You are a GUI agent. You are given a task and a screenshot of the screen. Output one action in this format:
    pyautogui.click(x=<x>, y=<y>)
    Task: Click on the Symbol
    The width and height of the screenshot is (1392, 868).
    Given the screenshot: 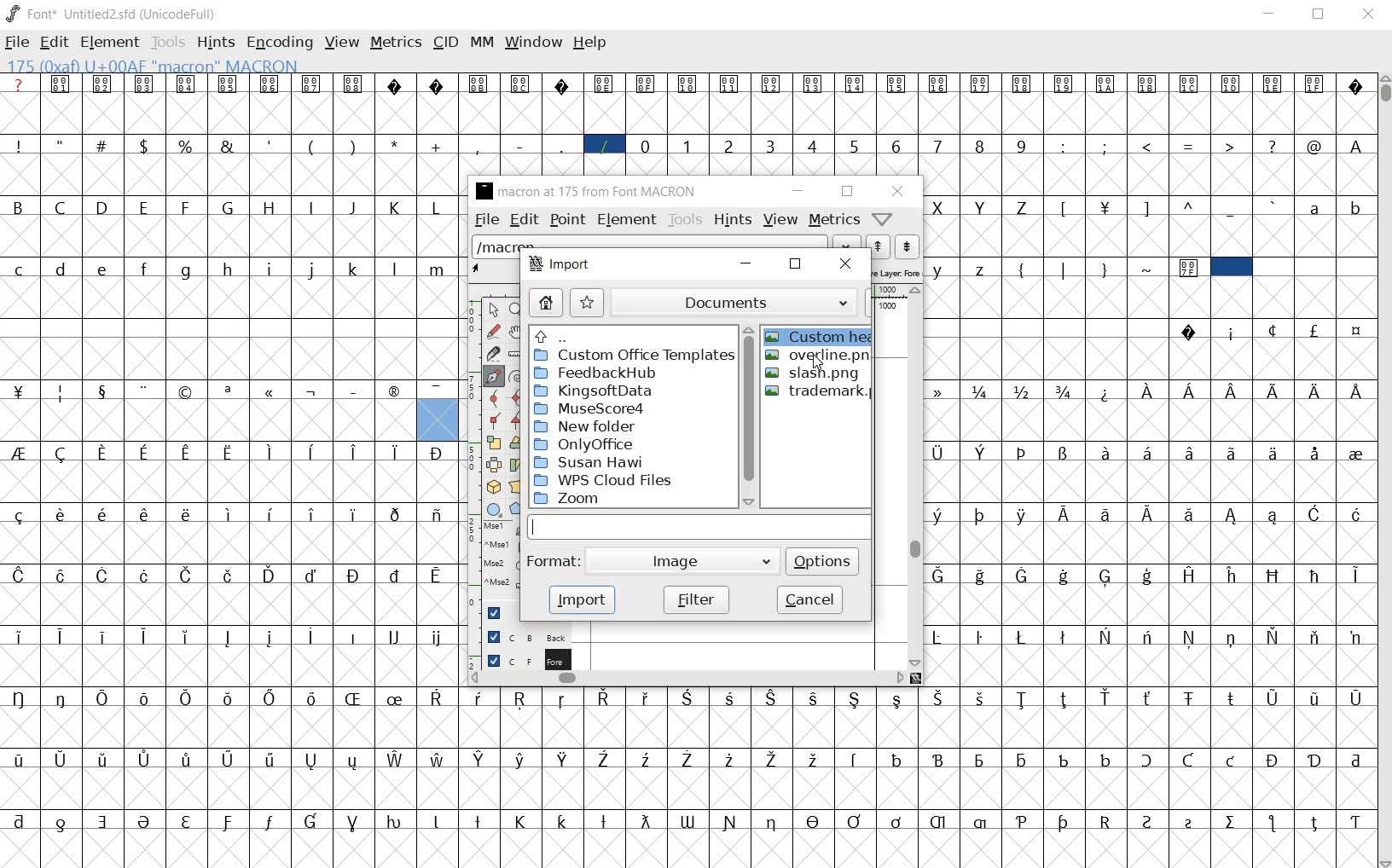 What is the action you would take?
    pyautogui.click(x=1314, y=637)
    